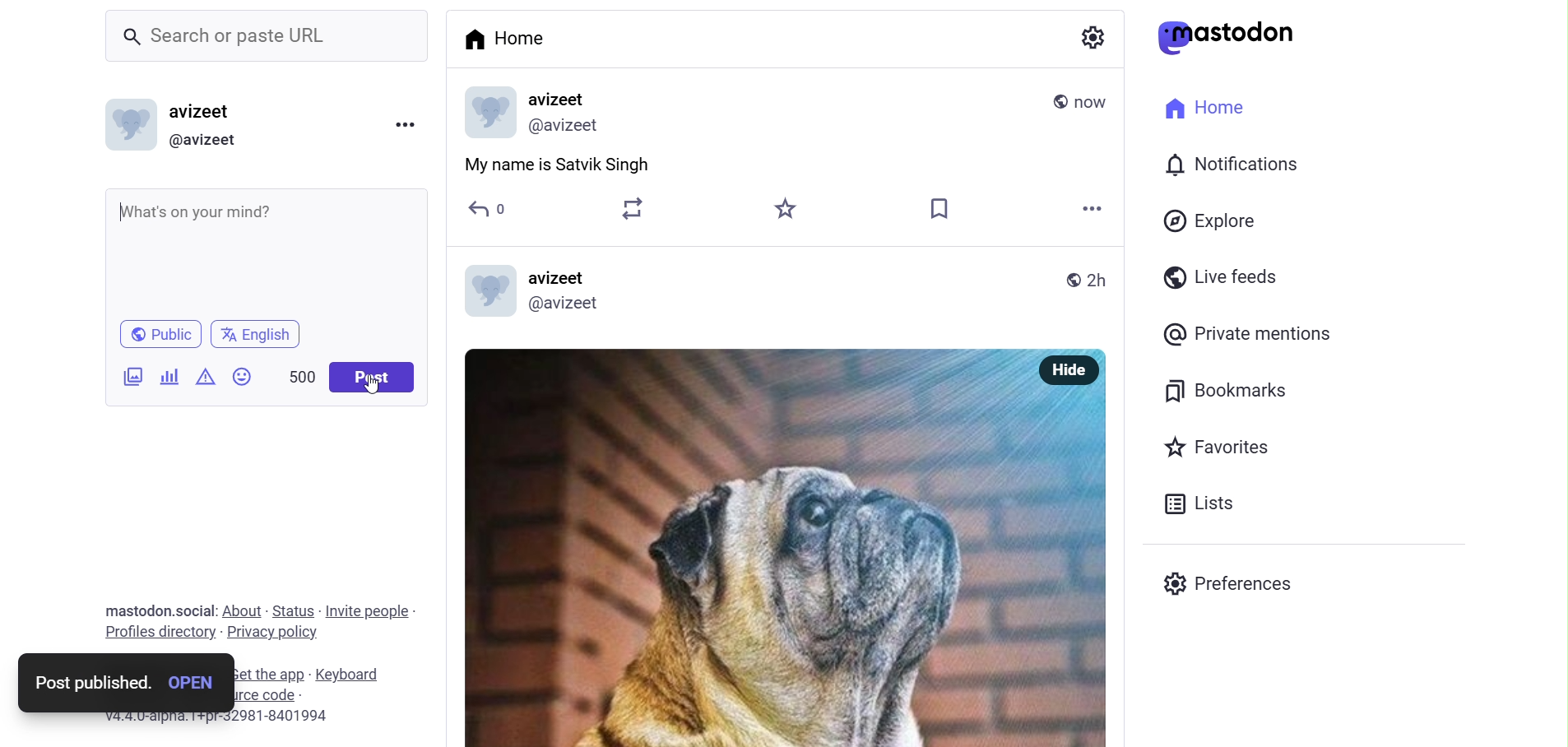 This screenshot has height=747, width=1568. I want to click on more options, so click(407, 125).